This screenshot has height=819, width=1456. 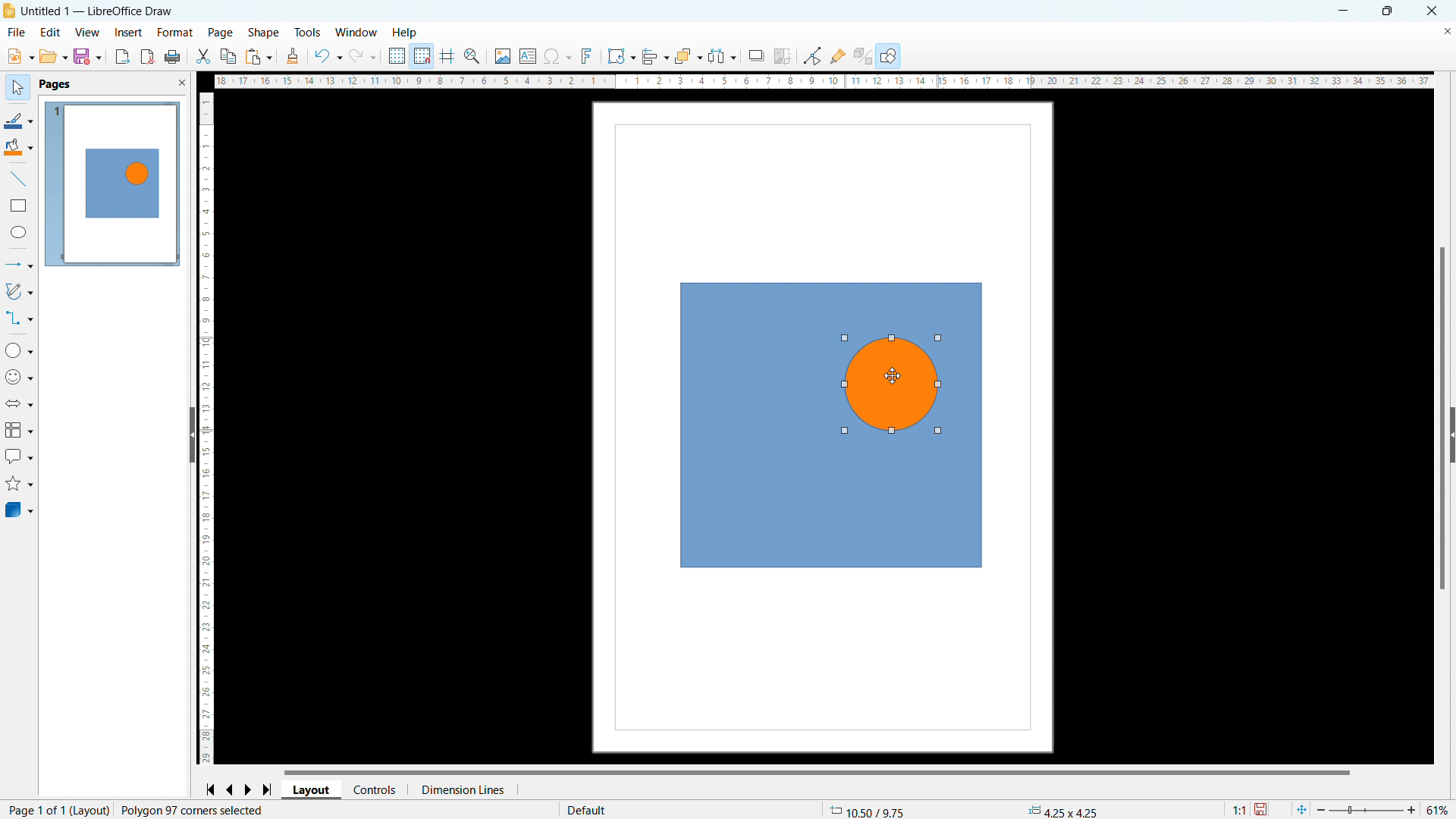 I want to click on stars and banners, so click(x=19, y=482).